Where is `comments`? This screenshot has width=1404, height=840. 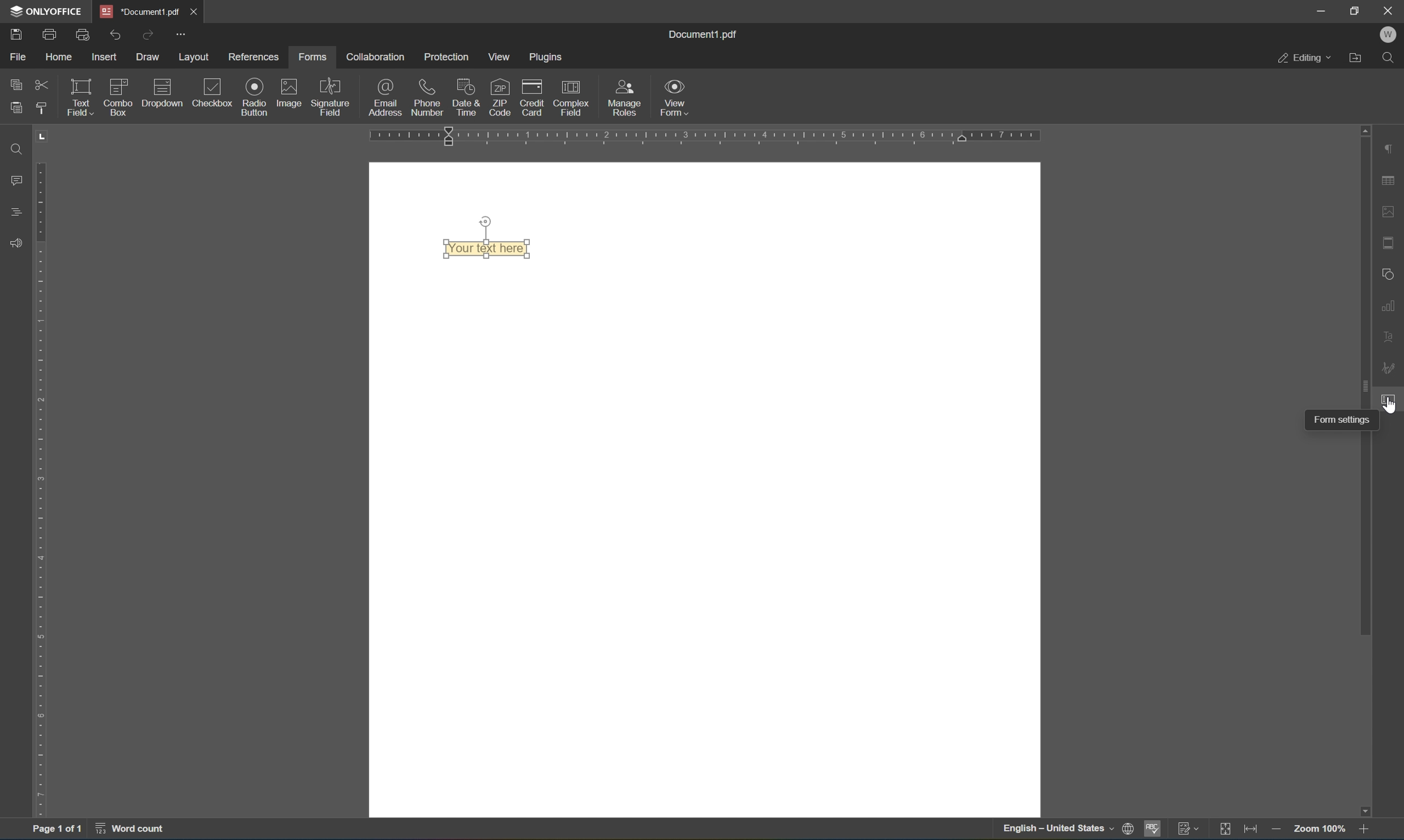 comments is located at coordinates (19, 179).